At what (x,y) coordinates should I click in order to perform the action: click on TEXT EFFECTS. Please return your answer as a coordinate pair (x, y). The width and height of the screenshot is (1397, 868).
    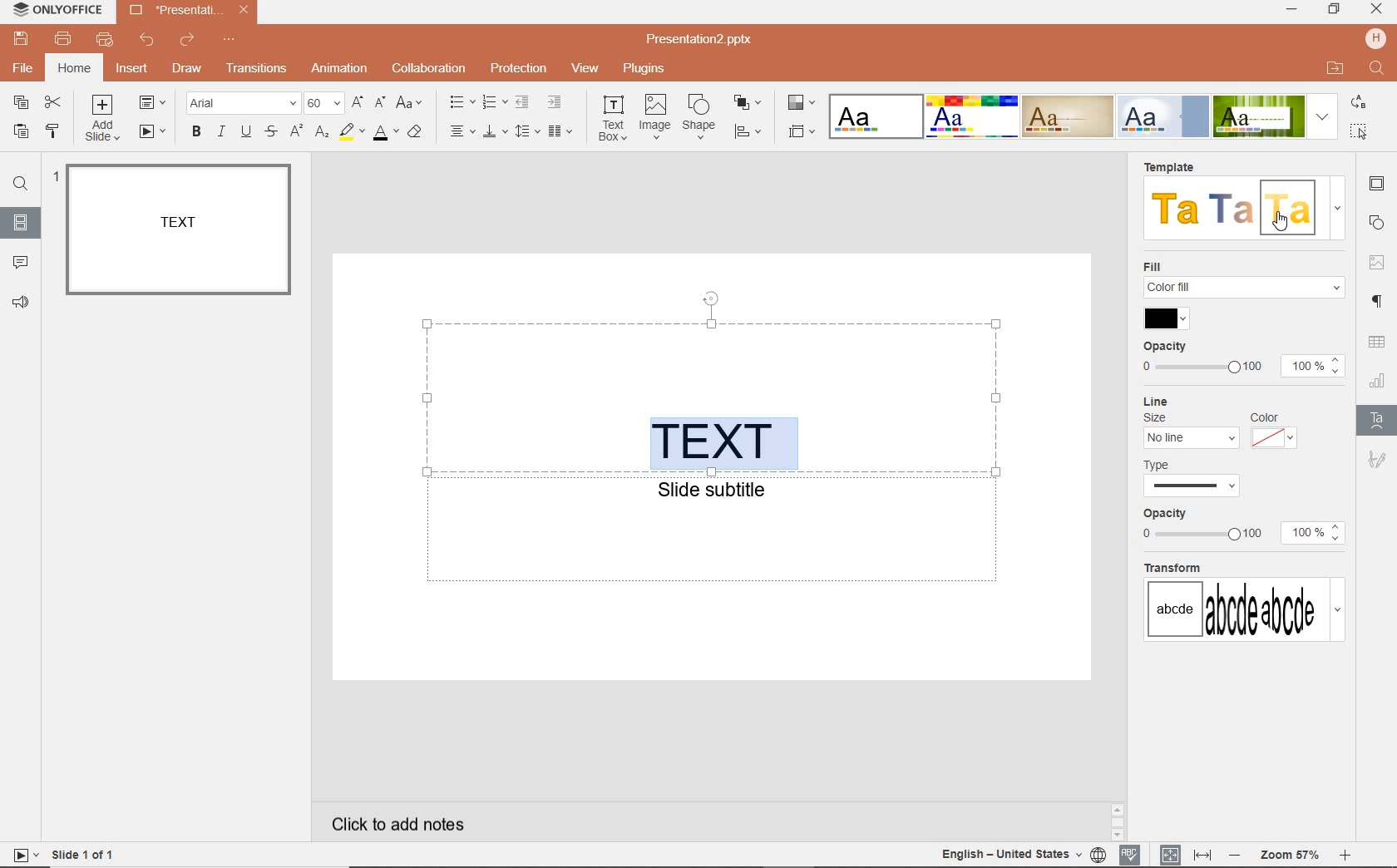
    Looking at the image, I should click on (1083, 115).